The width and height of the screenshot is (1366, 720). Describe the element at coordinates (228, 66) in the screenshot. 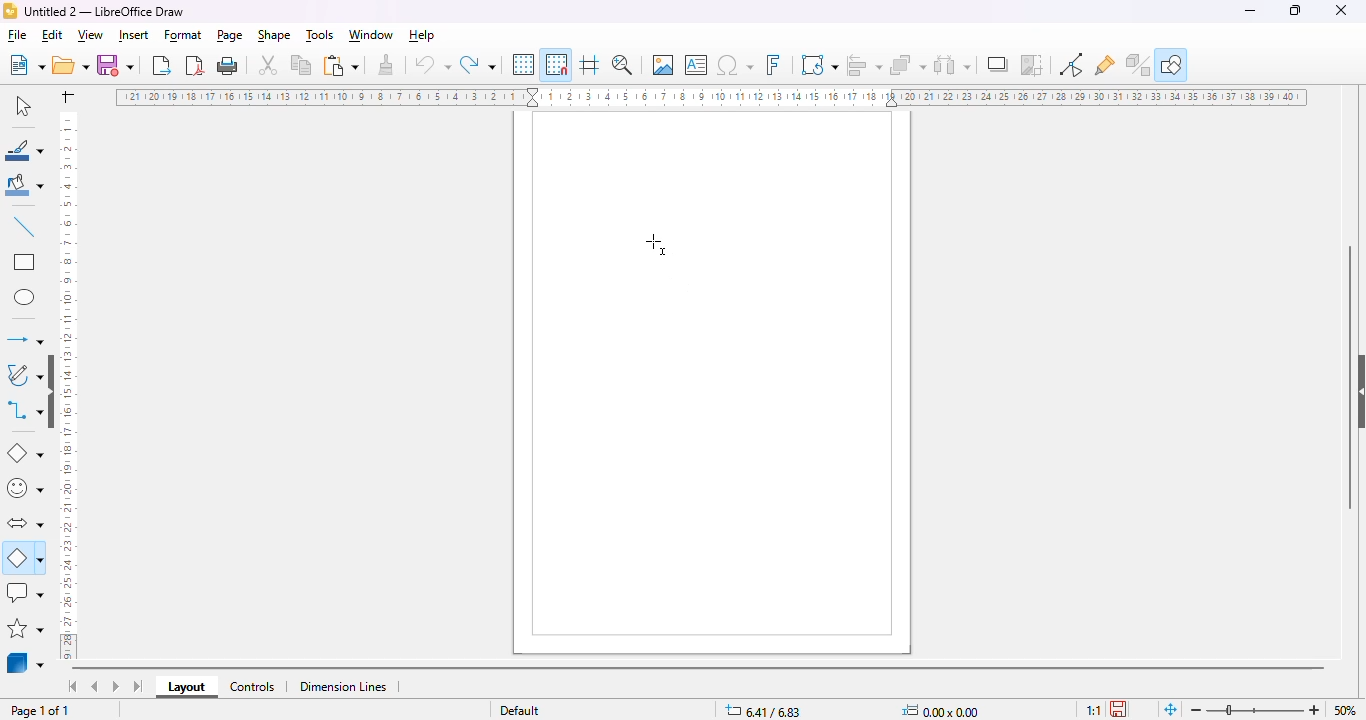

I see `print` at that location.